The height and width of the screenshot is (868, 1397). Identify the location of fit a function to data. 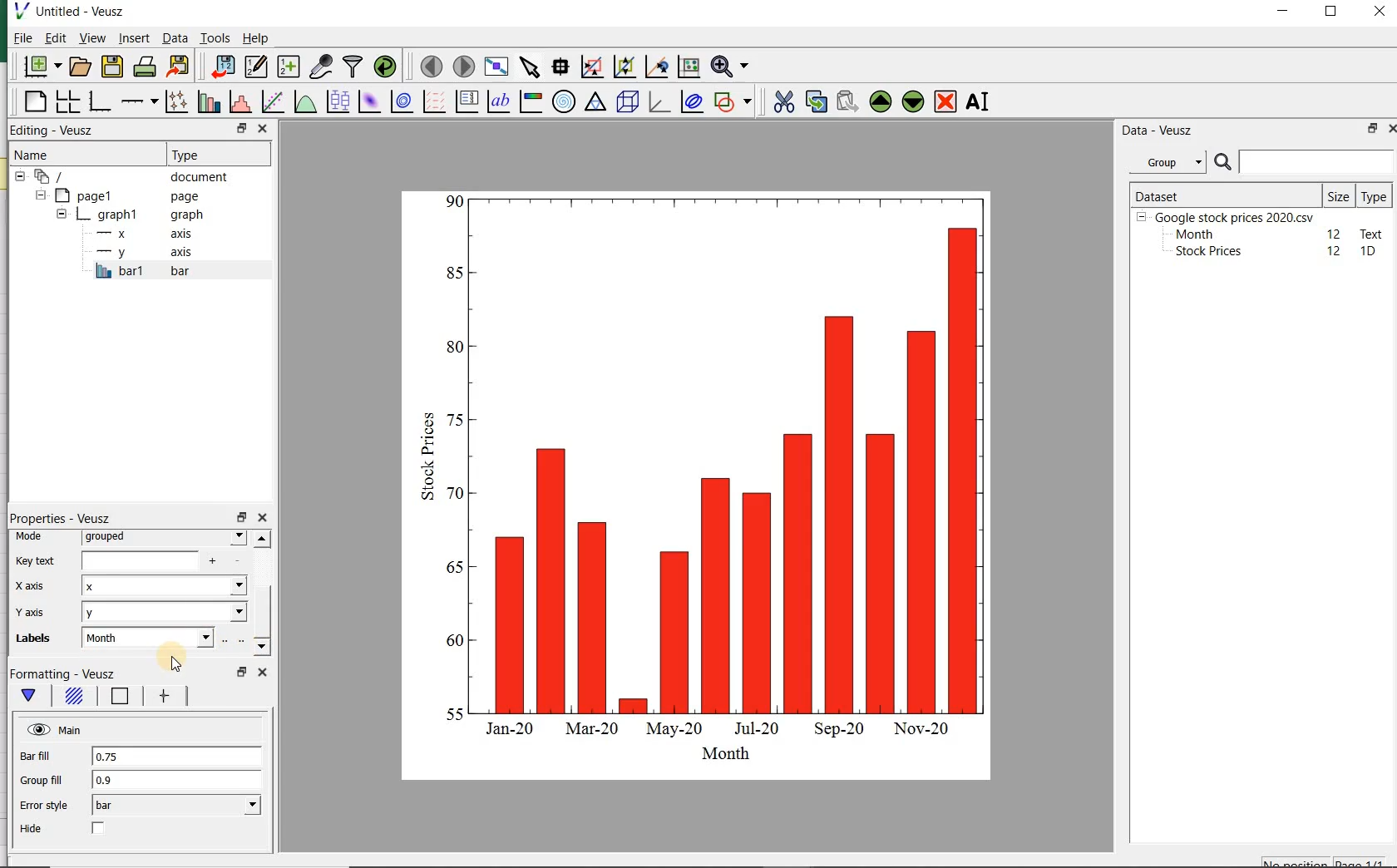
(271, 102).